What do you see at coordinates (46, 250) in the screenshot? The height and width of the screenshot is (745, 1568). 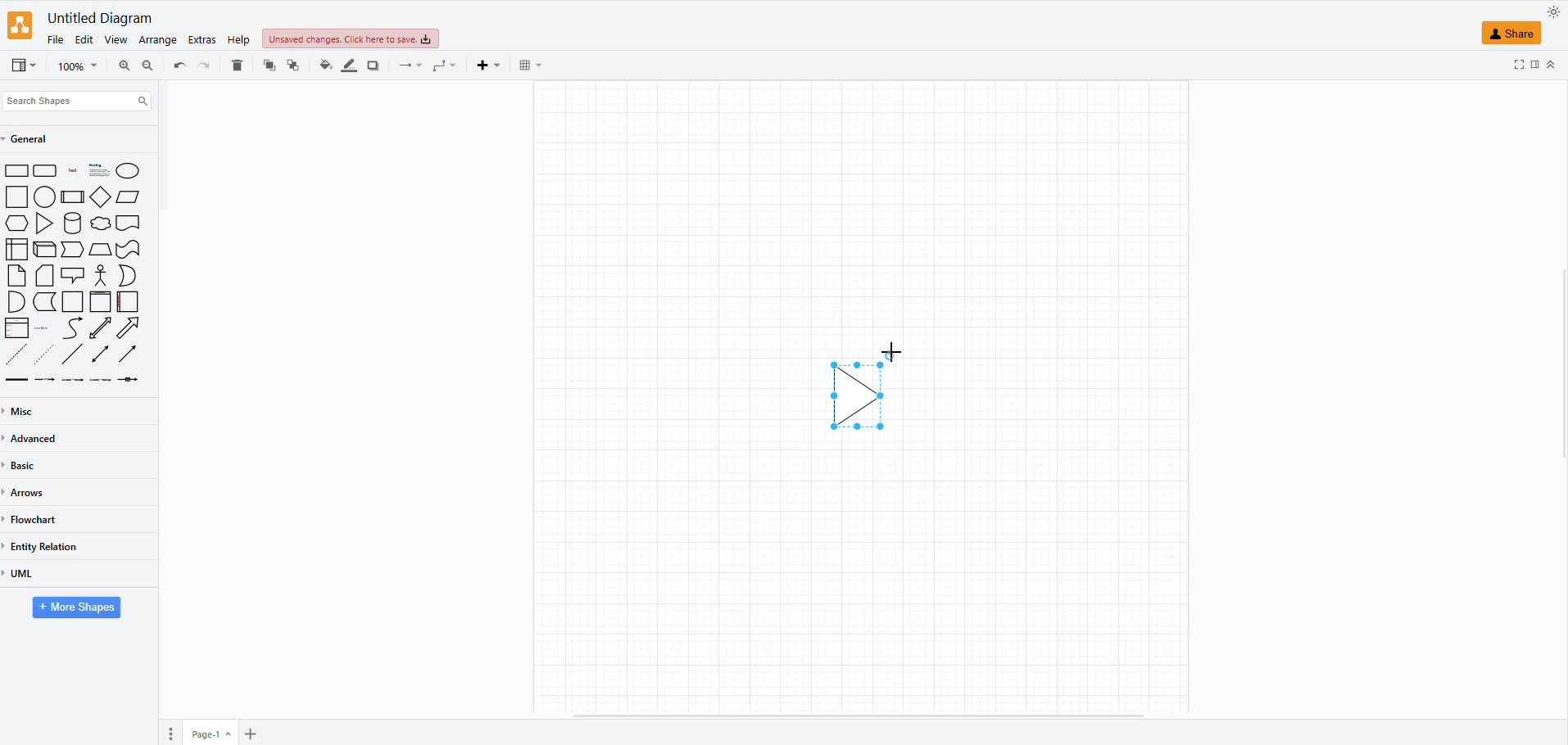 I see `Cube` at bounding box center [46, 250].